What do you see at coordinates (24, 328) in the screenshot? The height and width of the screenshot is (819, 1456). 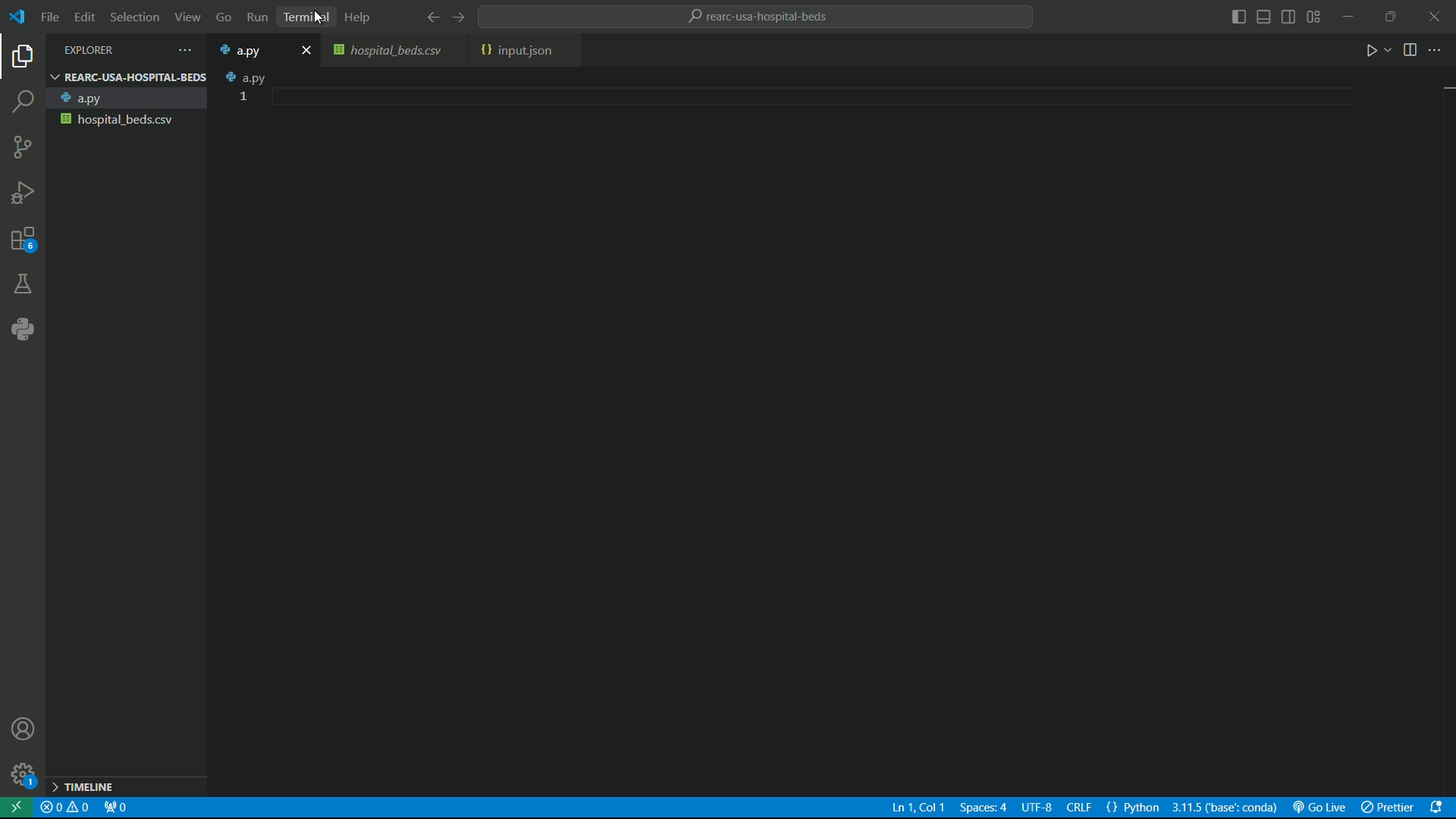 I see `python` at bounding box center [24, 328].